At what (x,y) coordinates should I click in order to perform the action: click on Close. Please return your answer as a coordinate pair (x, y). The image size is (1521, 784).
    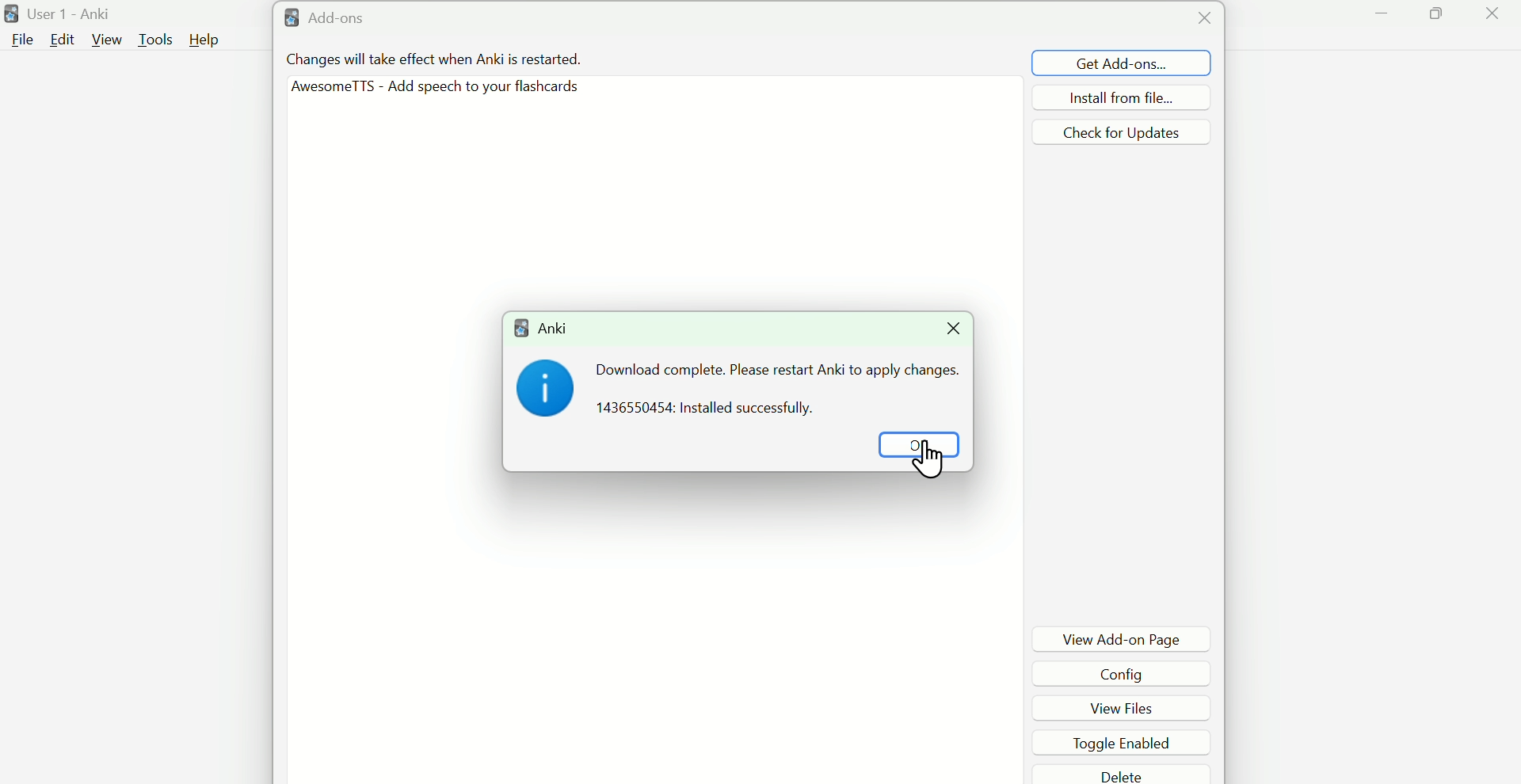
    Looking at the image, I should click on (954, 327).